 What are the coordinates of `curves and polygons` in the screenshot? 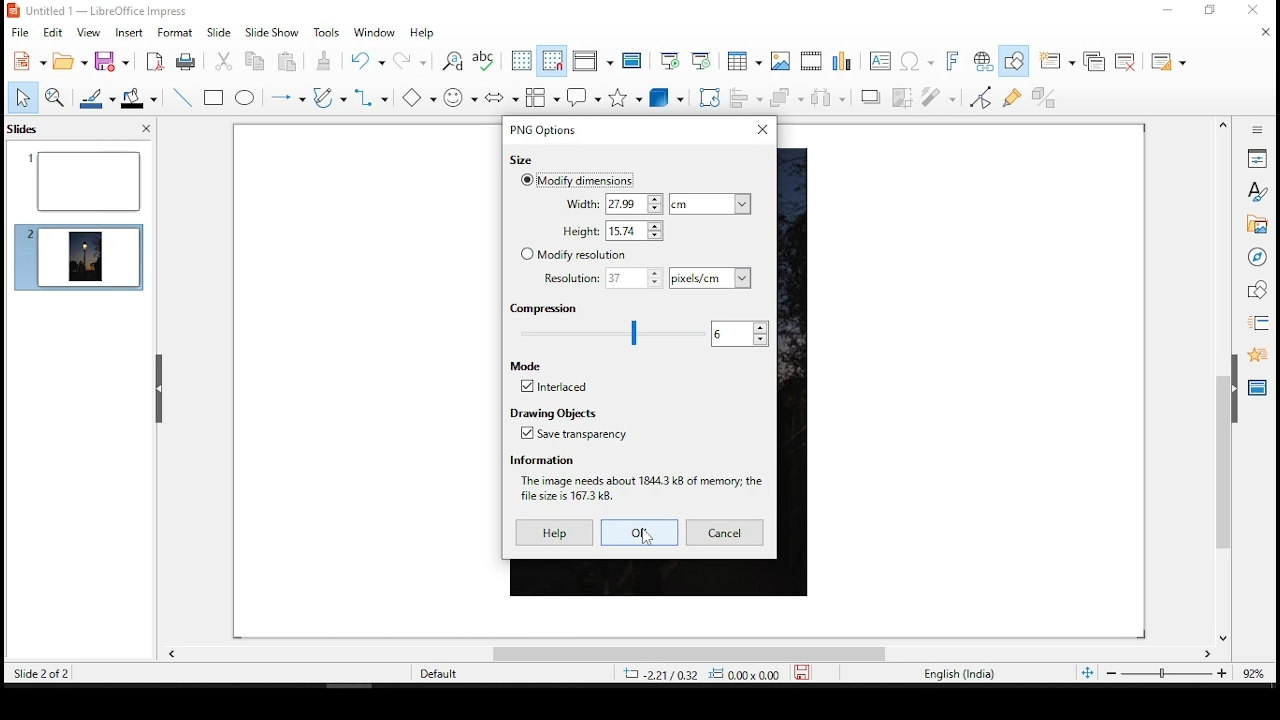 It's located at (327, 97).